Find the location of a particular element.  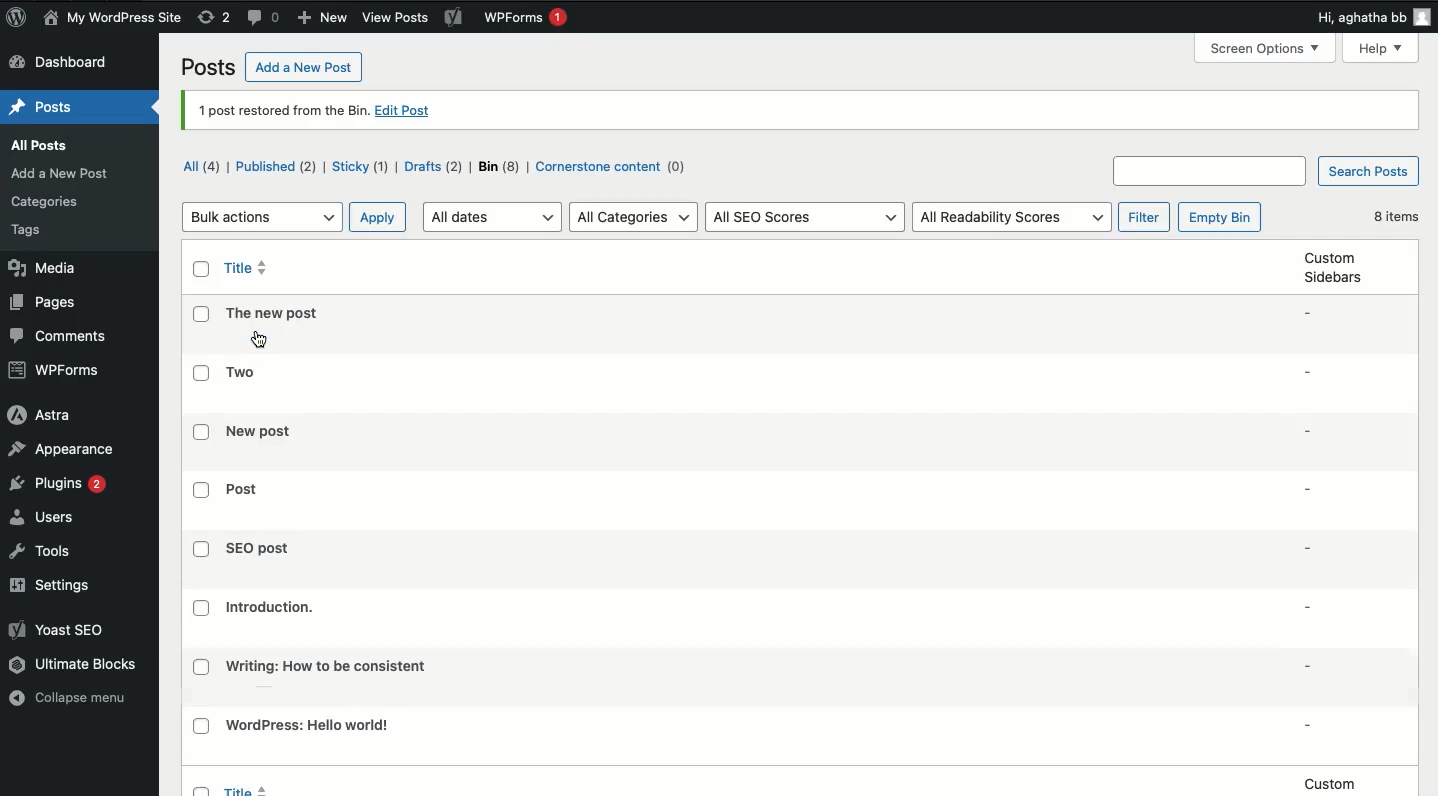

Ultimate blocks is located at coordinates (73, 665).